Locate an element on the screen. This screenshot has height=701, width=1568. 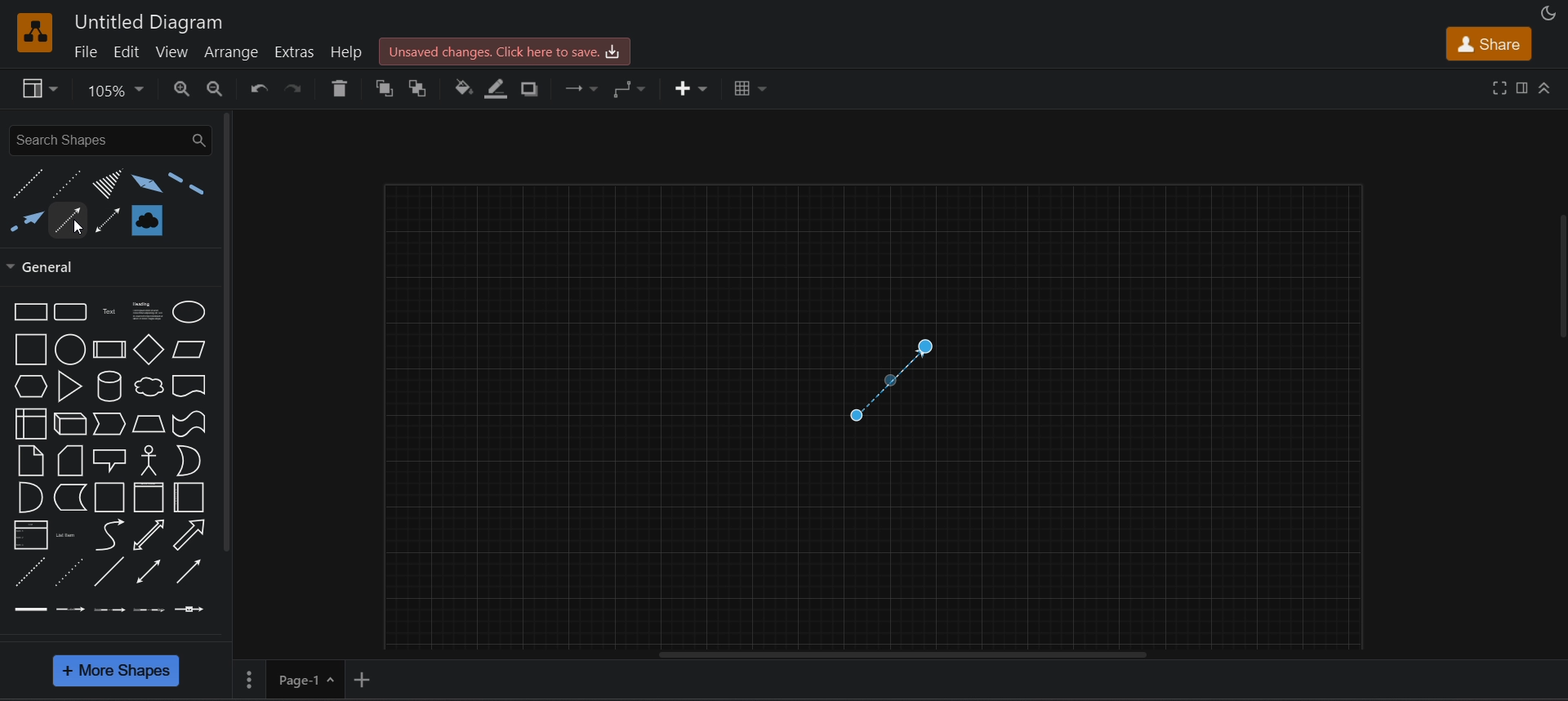
vertical scroll is located at coordinates (1560, 279).